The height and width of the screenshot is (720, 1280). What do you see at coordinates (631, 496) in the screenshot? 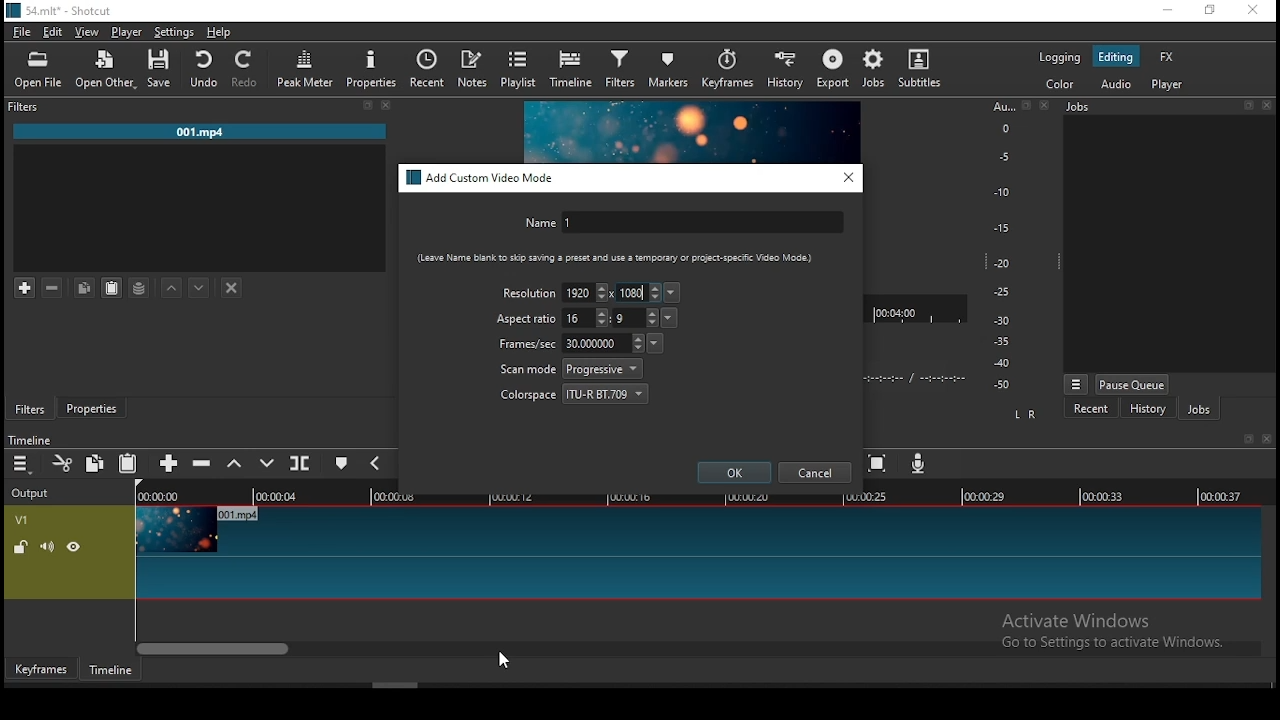
I see `00:00:16` at bounding box center [631, 496].